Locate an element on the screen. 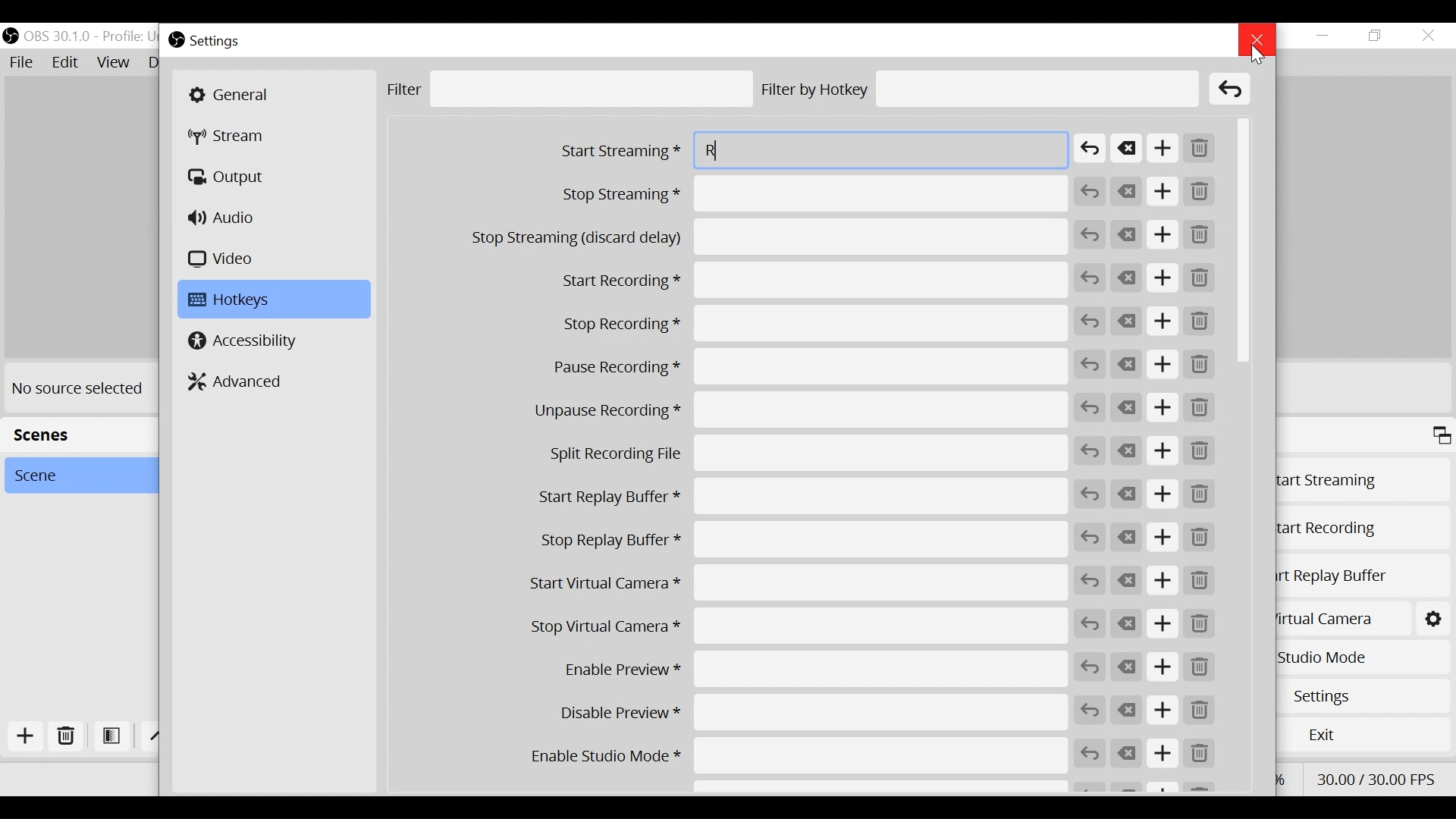  Settings is located at coordinates (1369, 695).